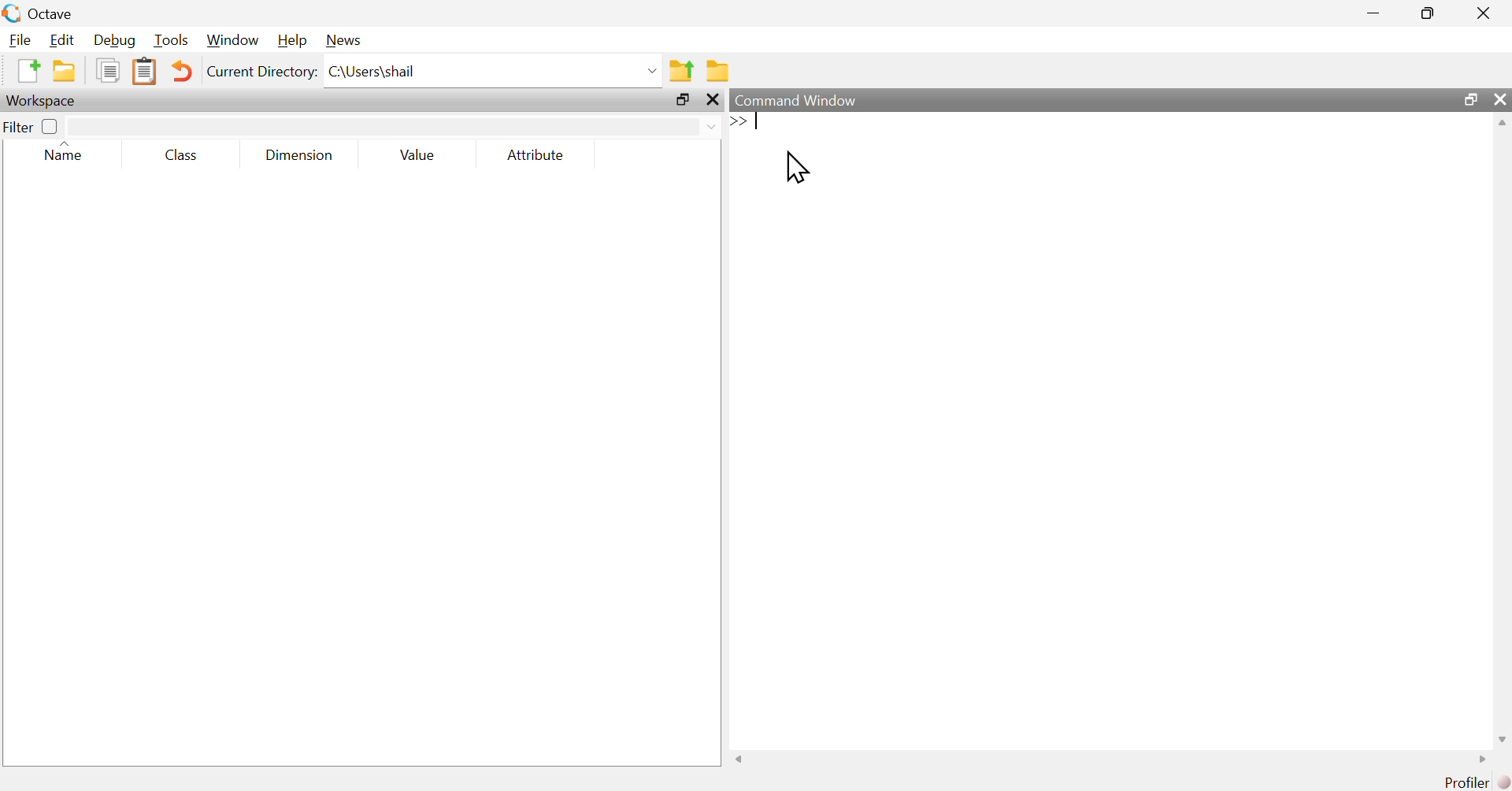  I want to click on search here, so click(395, 124).